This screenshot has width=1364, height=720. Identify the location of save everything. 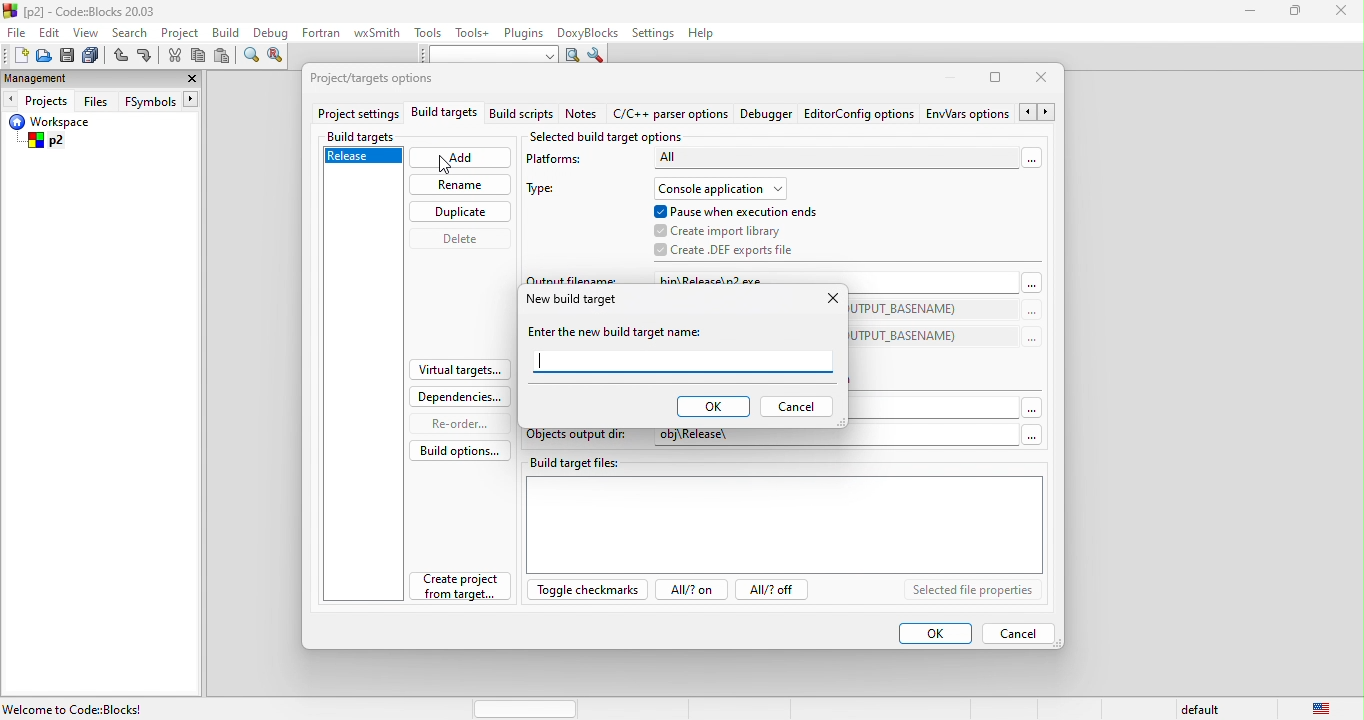
(92, 56).